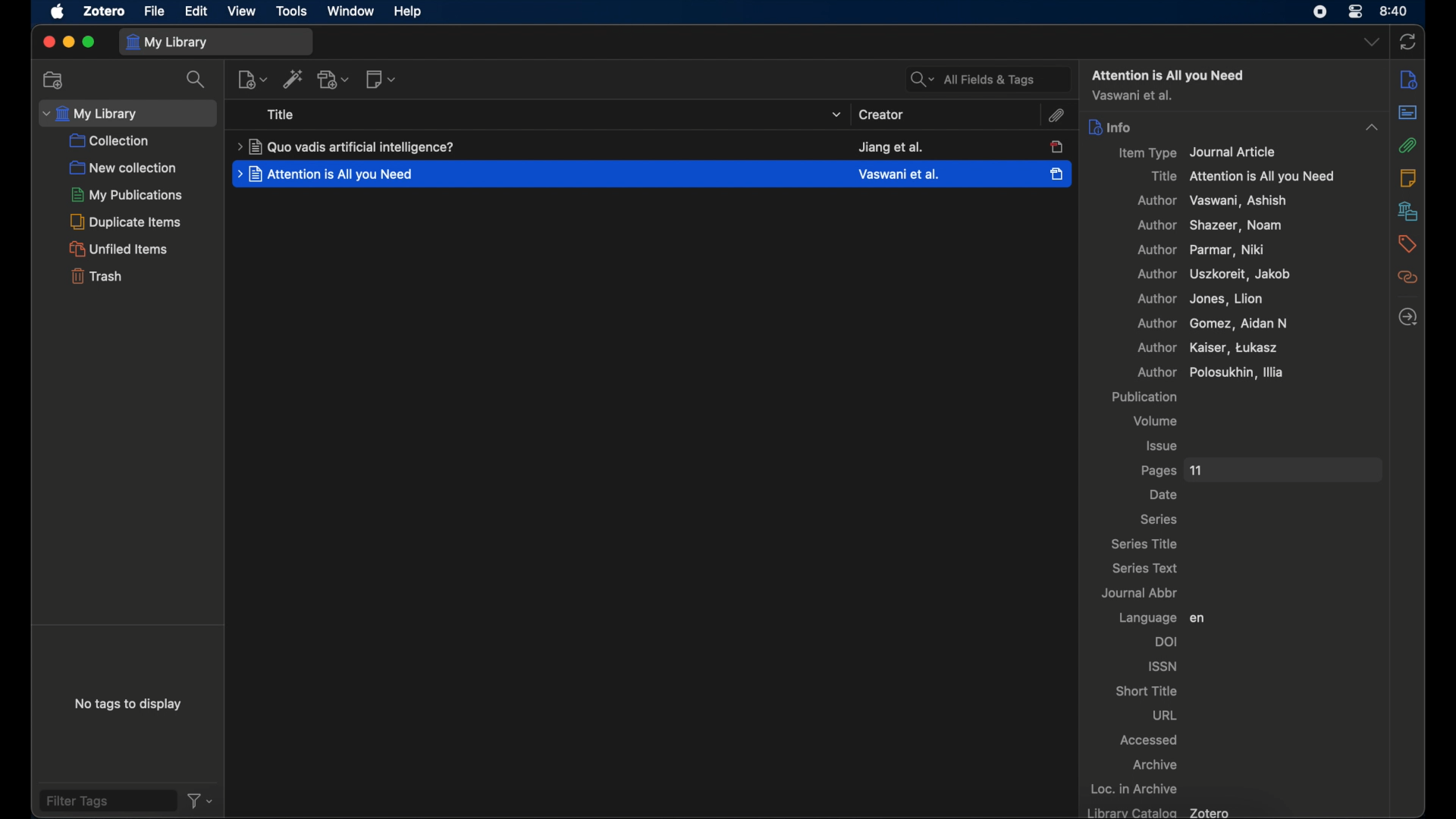 This screenshot has width=1456, height=819. I want to click on short title, so click(1147, 691).